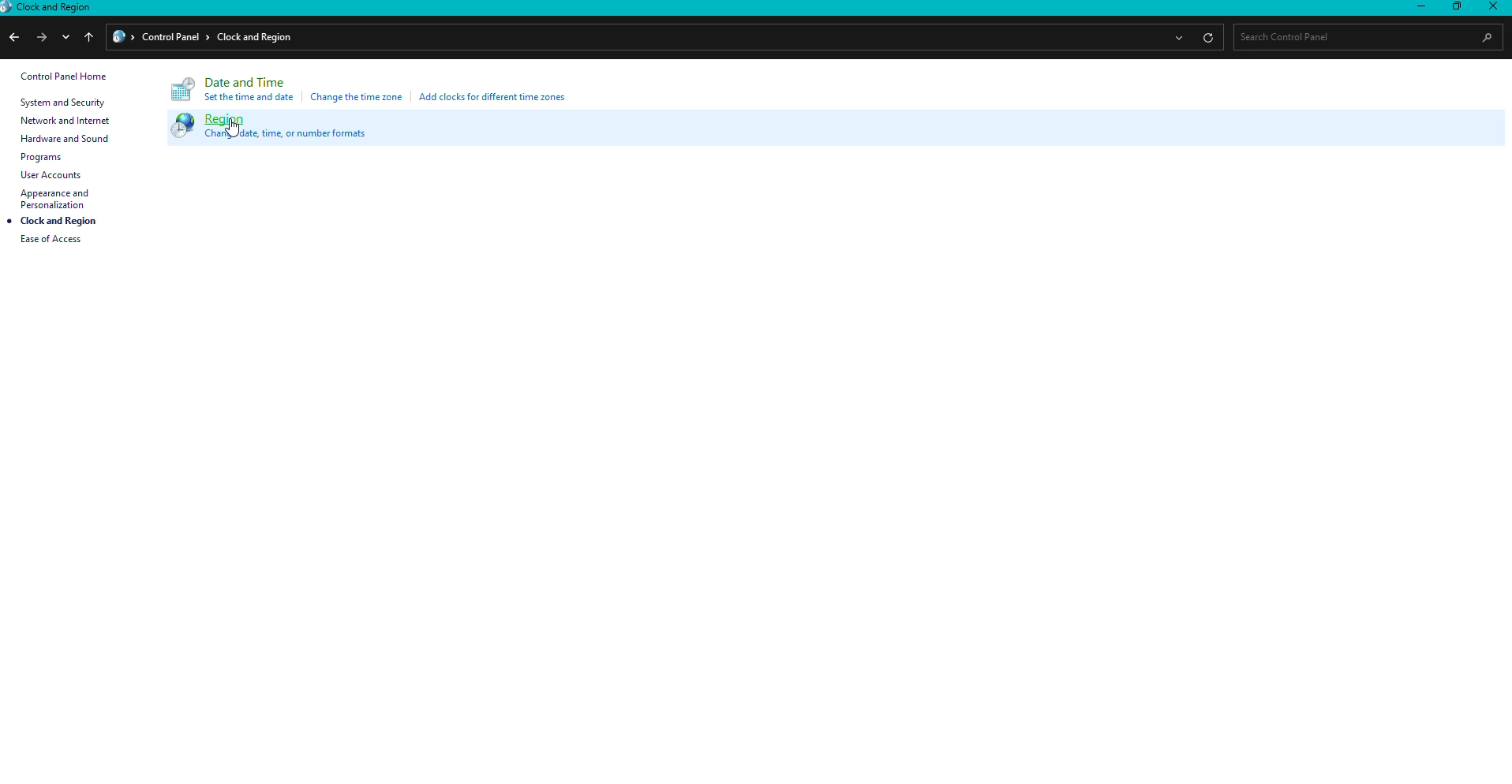 This screenshot has height=784, width=1512. I want to click on up, so click(90, 41).